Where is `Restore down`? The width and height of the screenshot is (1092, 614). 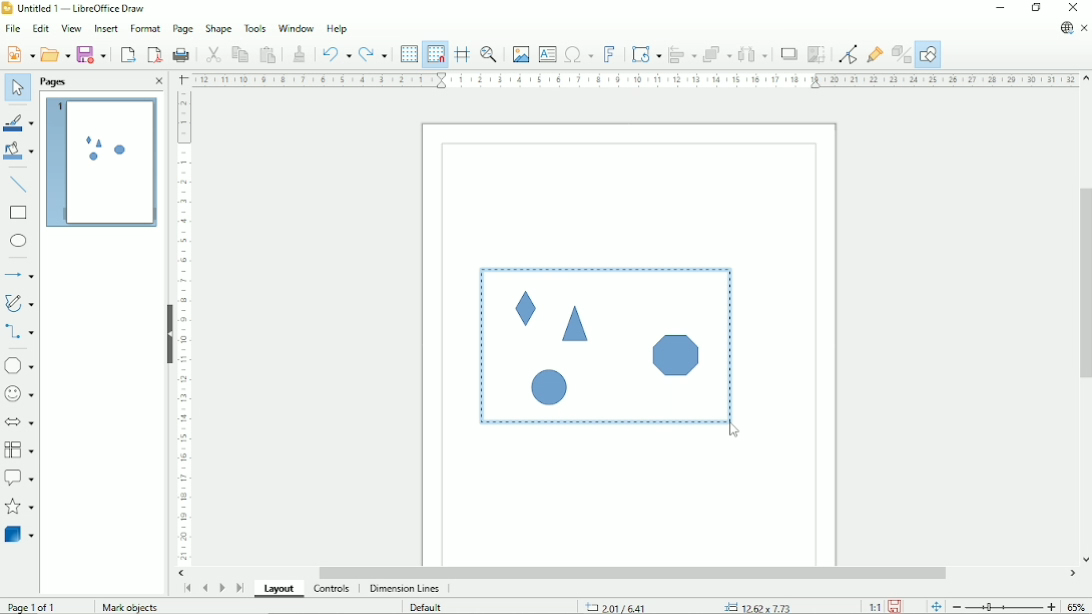
Restore down is located at coordinates (1038, 9).